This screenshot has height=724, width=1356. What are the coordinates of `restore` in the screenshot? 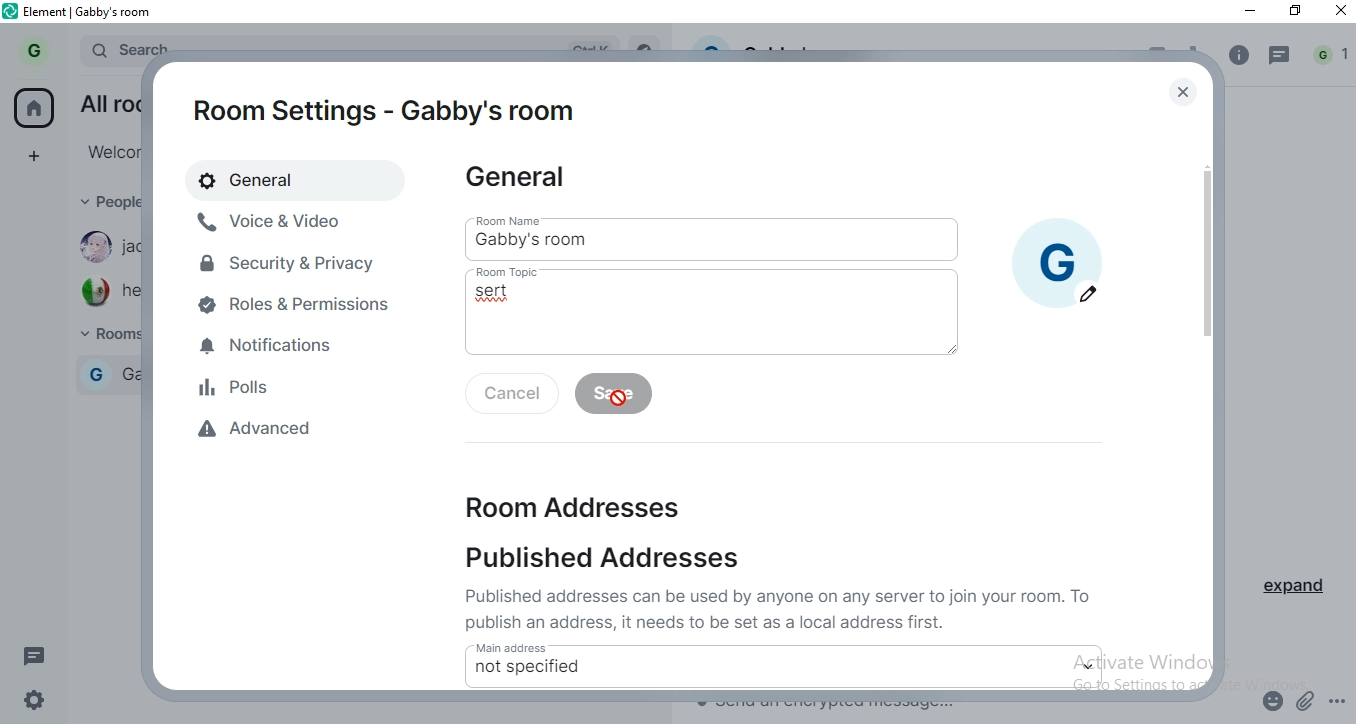 It's located at (1296, 12).